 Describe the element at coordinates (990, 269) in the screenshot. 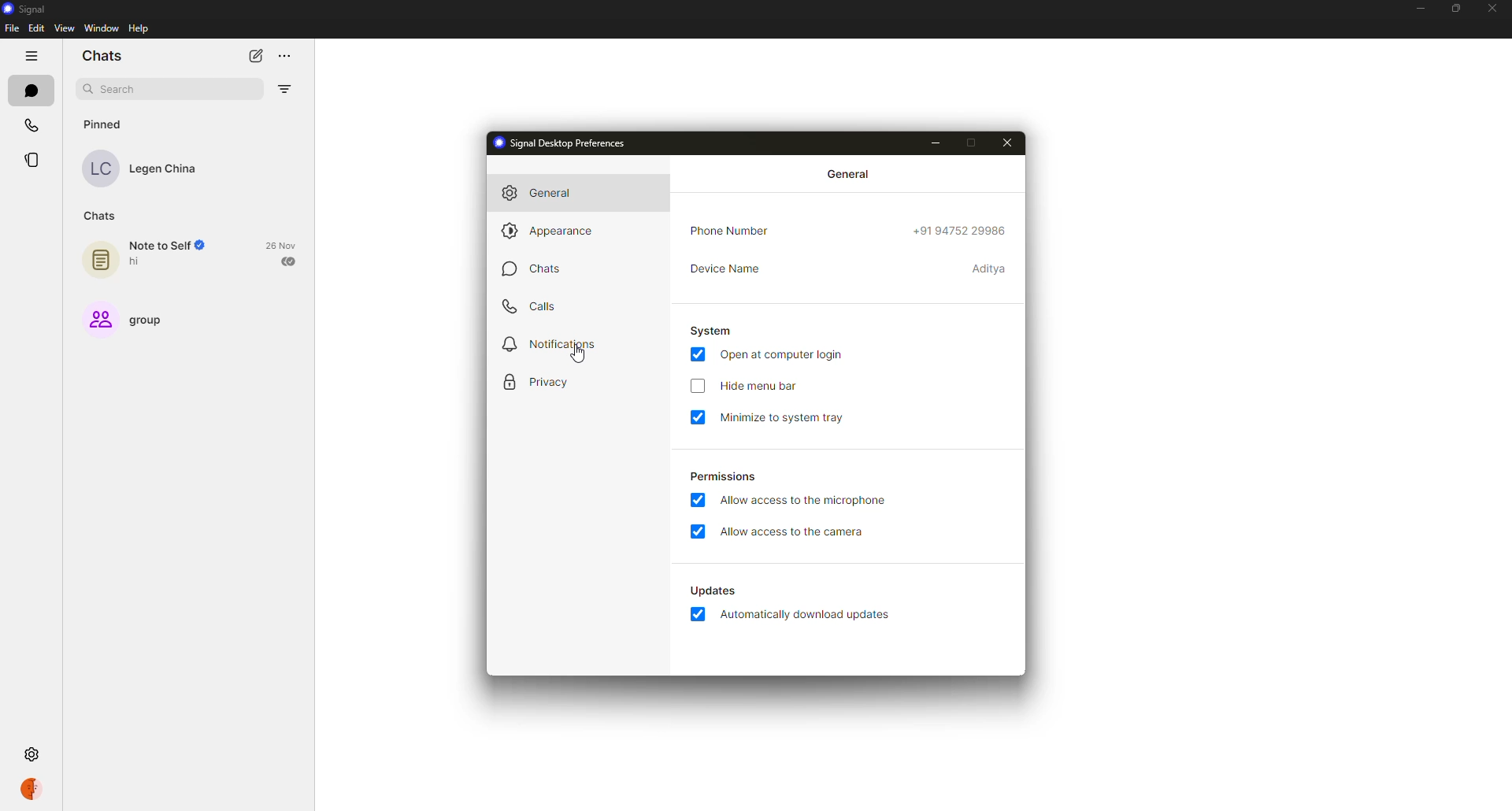

I see `device name` at that location.